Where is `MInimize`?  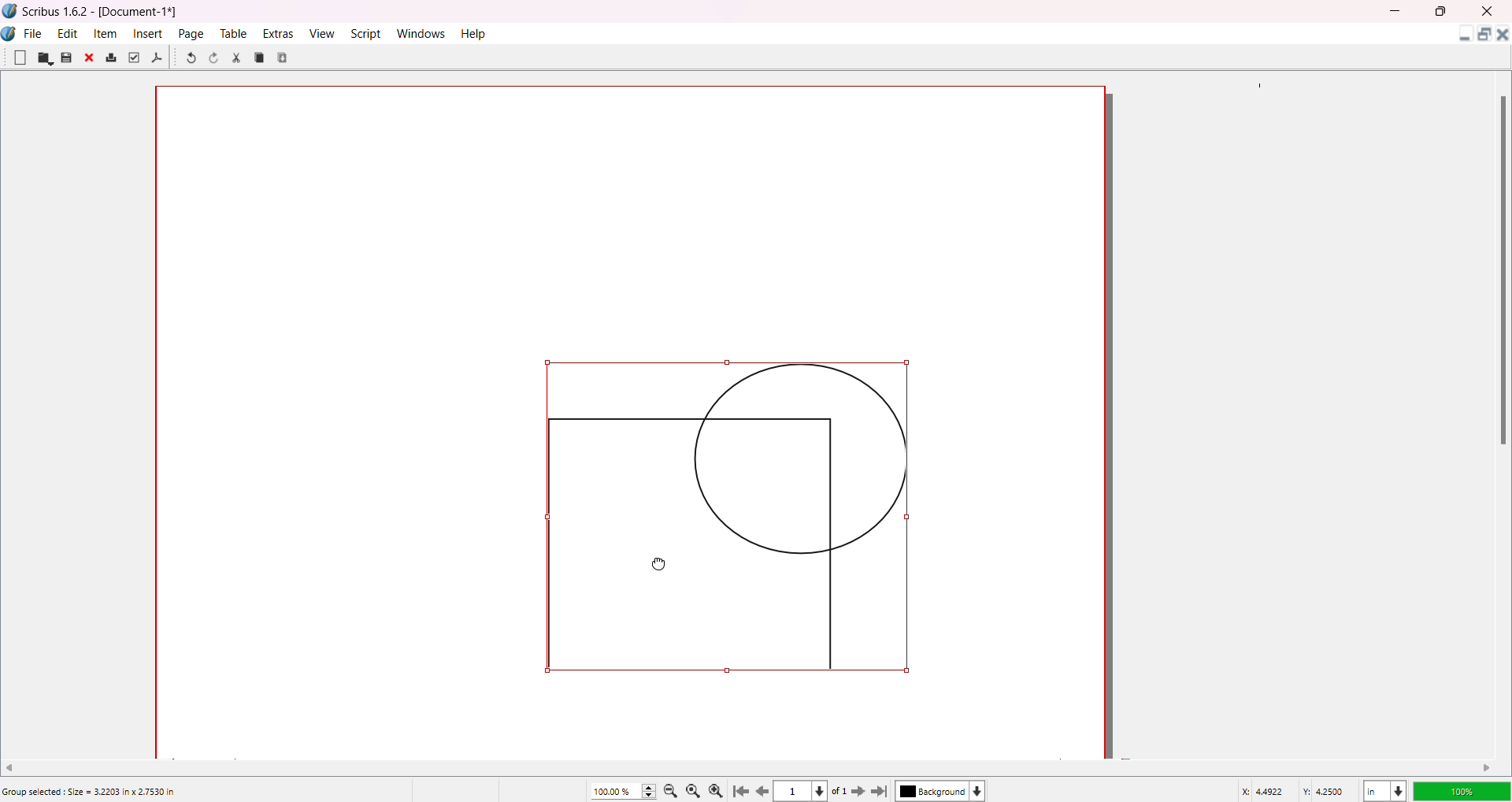
MInimize is located at coordinates (1398, 11).